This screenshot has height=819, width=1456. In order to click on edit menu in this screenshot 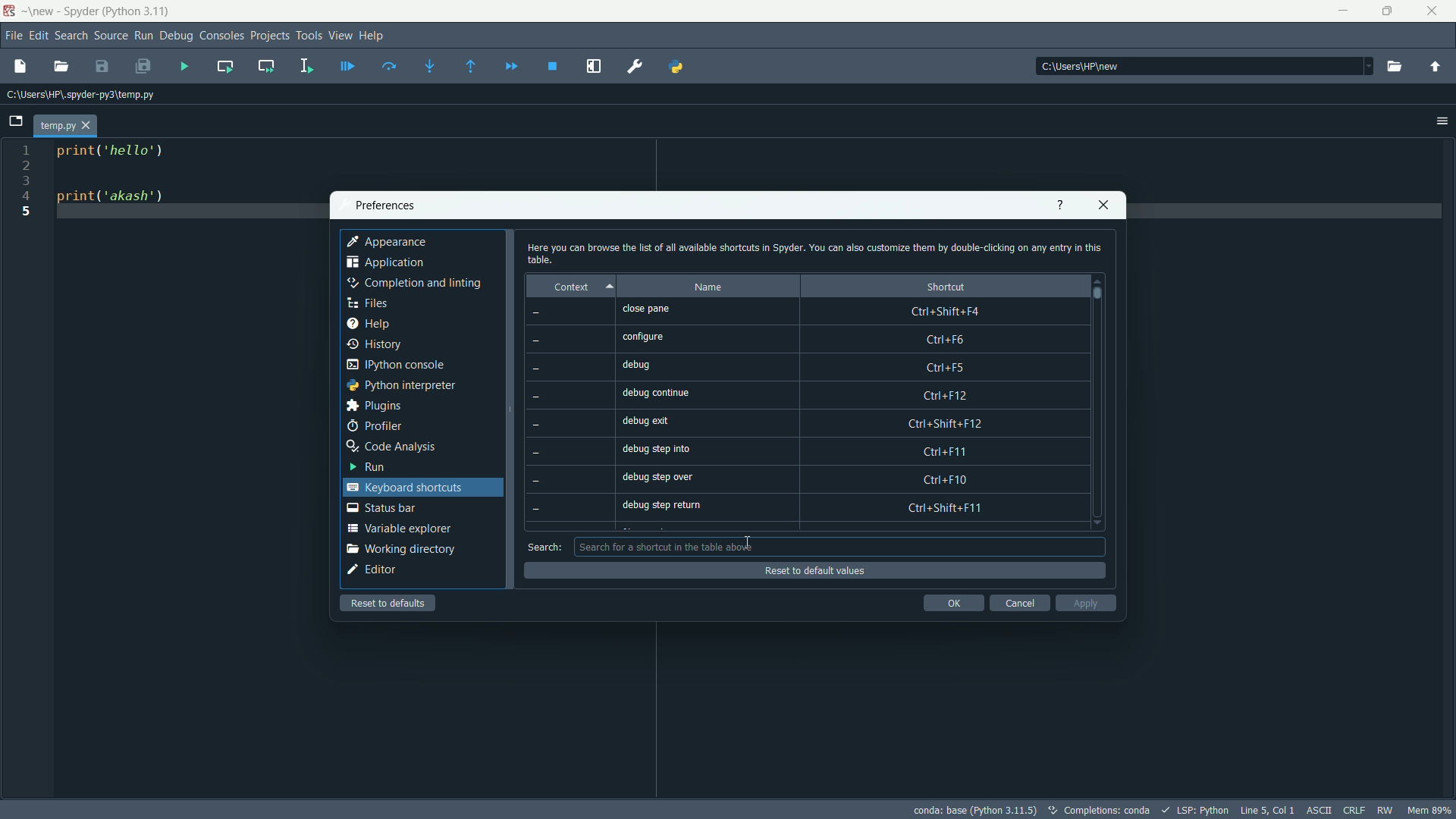, I will do `click(39, 34)`.